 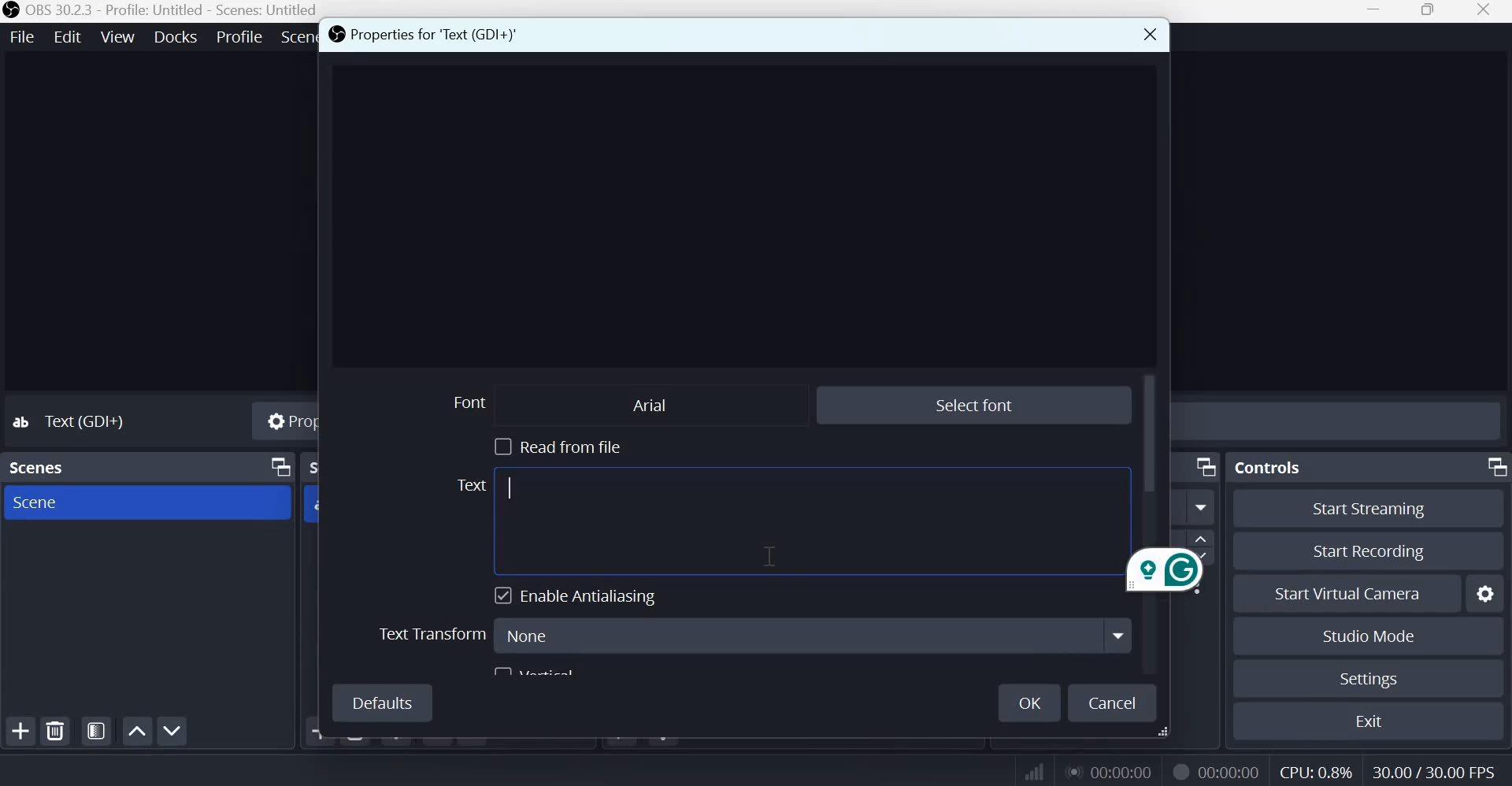 What do you see at coordinates (239, 37) in the screenshot?
I see `Profile` at bounding box center [239, 37].